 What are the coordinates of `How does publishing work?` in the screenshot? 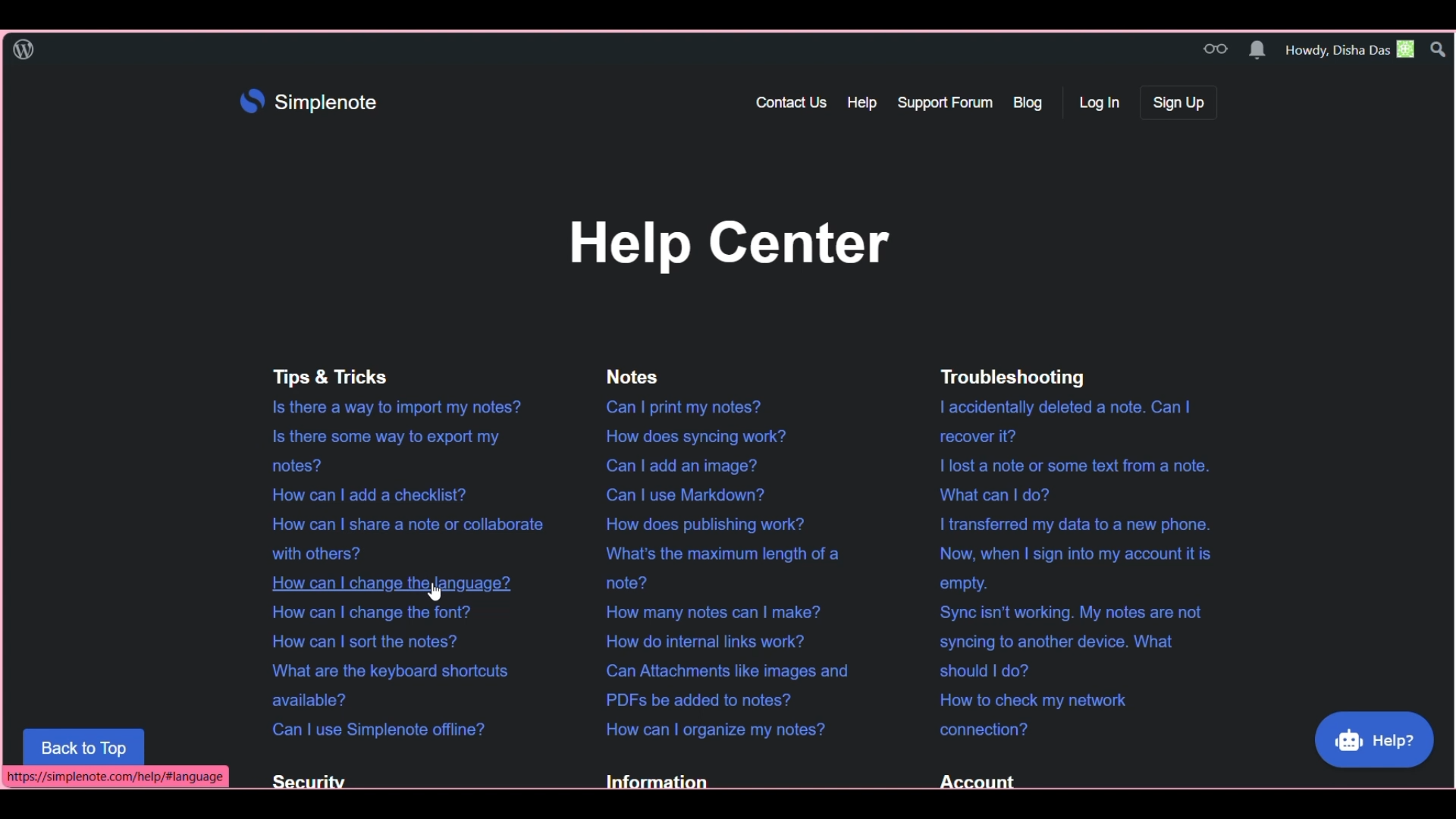 It's located at (701, 522).